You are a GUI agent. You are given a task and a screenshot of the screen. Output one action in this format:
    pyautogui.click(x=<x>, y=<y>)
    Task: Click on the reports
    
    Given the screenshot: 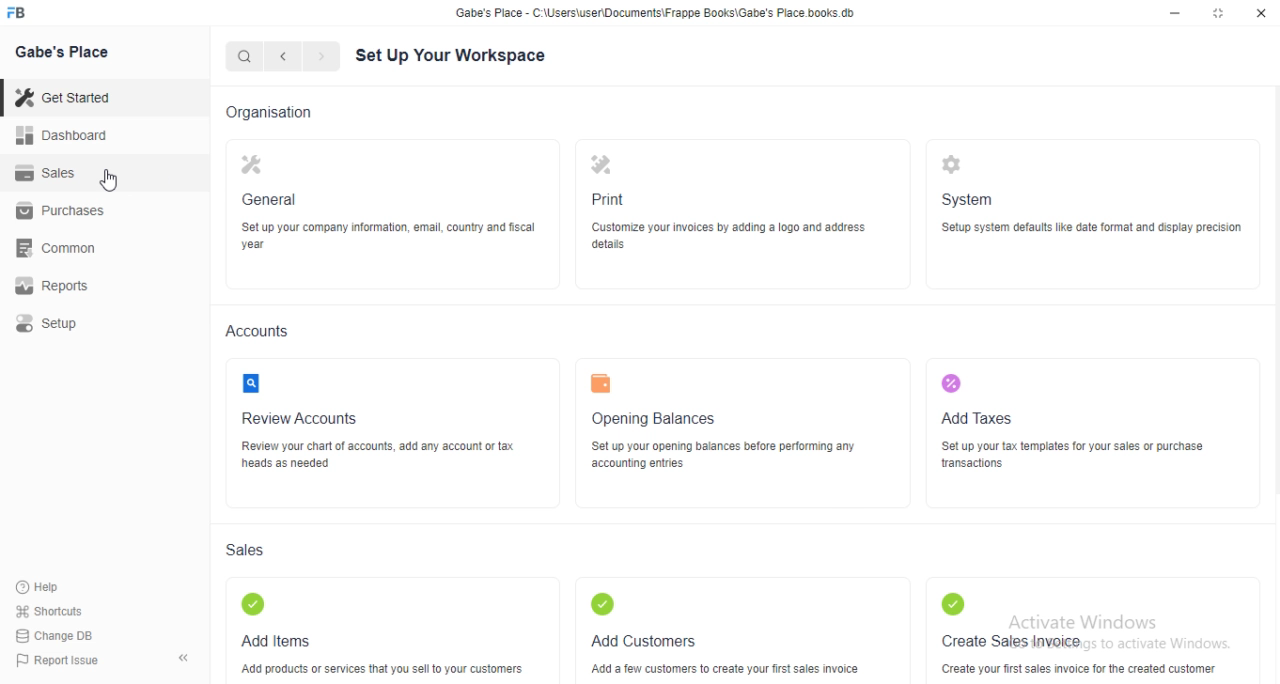 What is the action you would take?
    pyautogui.click(x=52, y=285)
    